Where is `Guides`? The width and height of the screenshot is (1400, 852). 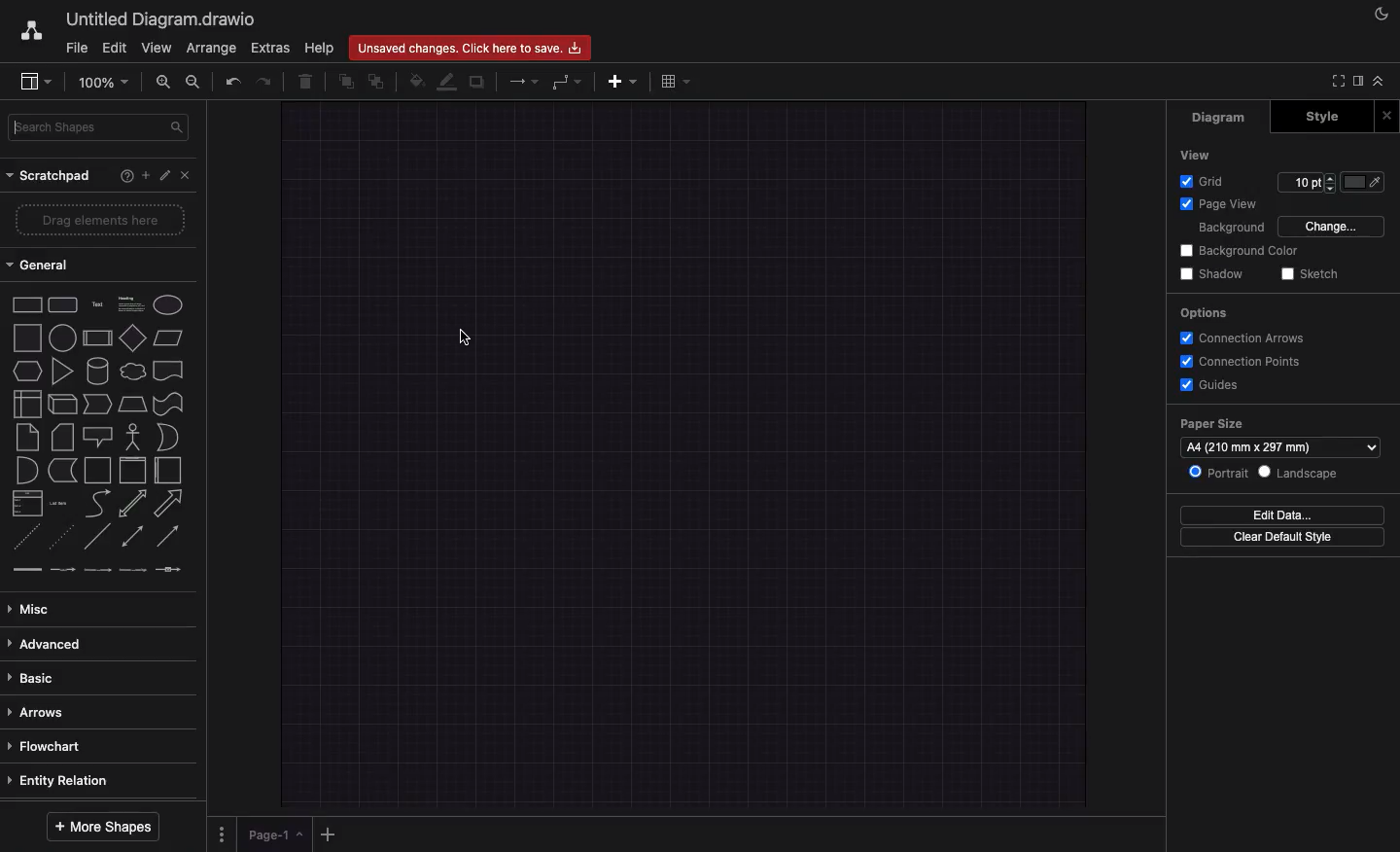
Guides is located at coordinates (1212, 385).